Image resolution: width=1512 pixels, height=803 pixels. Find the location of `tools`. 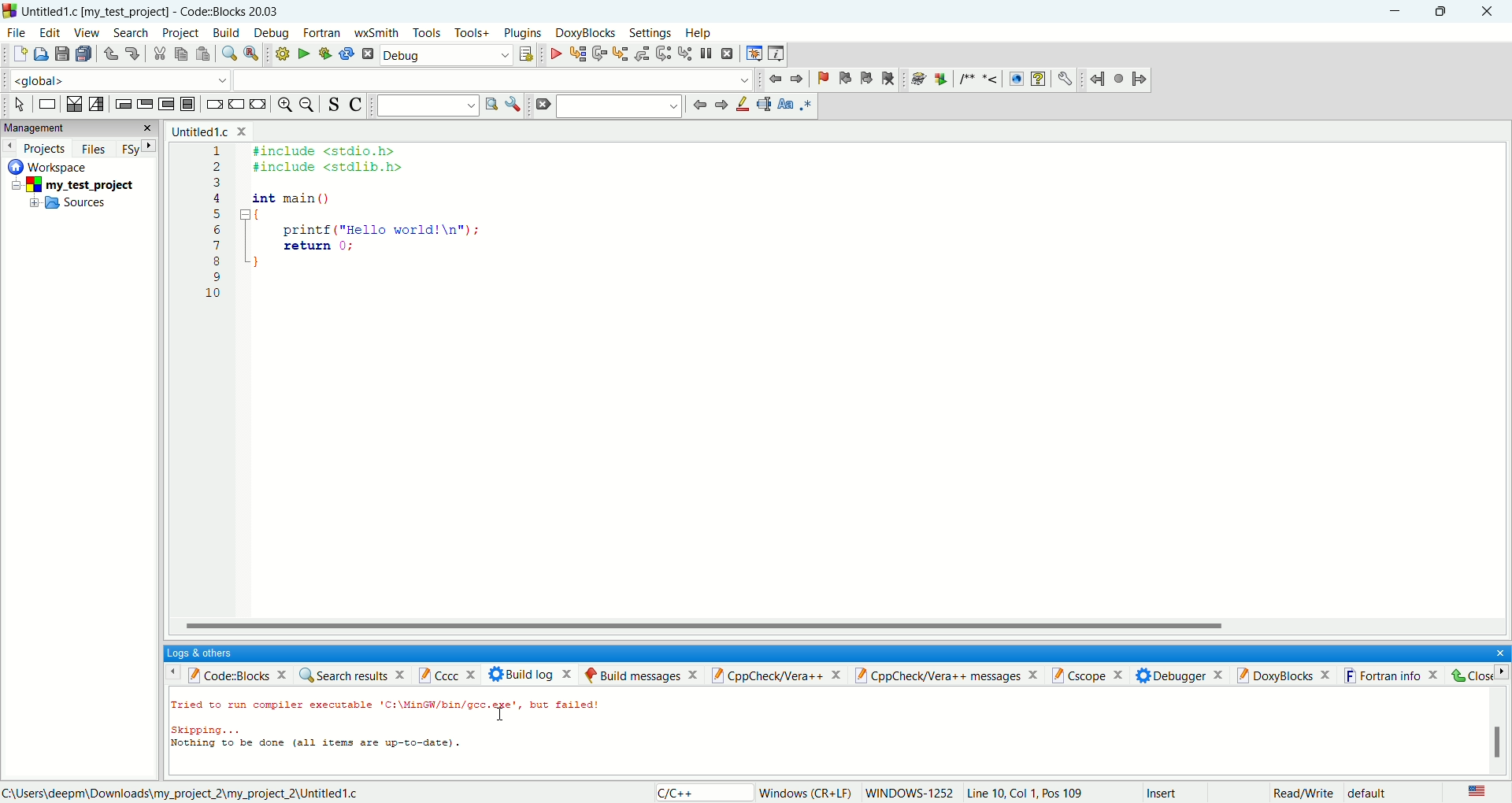

tools is located at coordinates (426, 33).